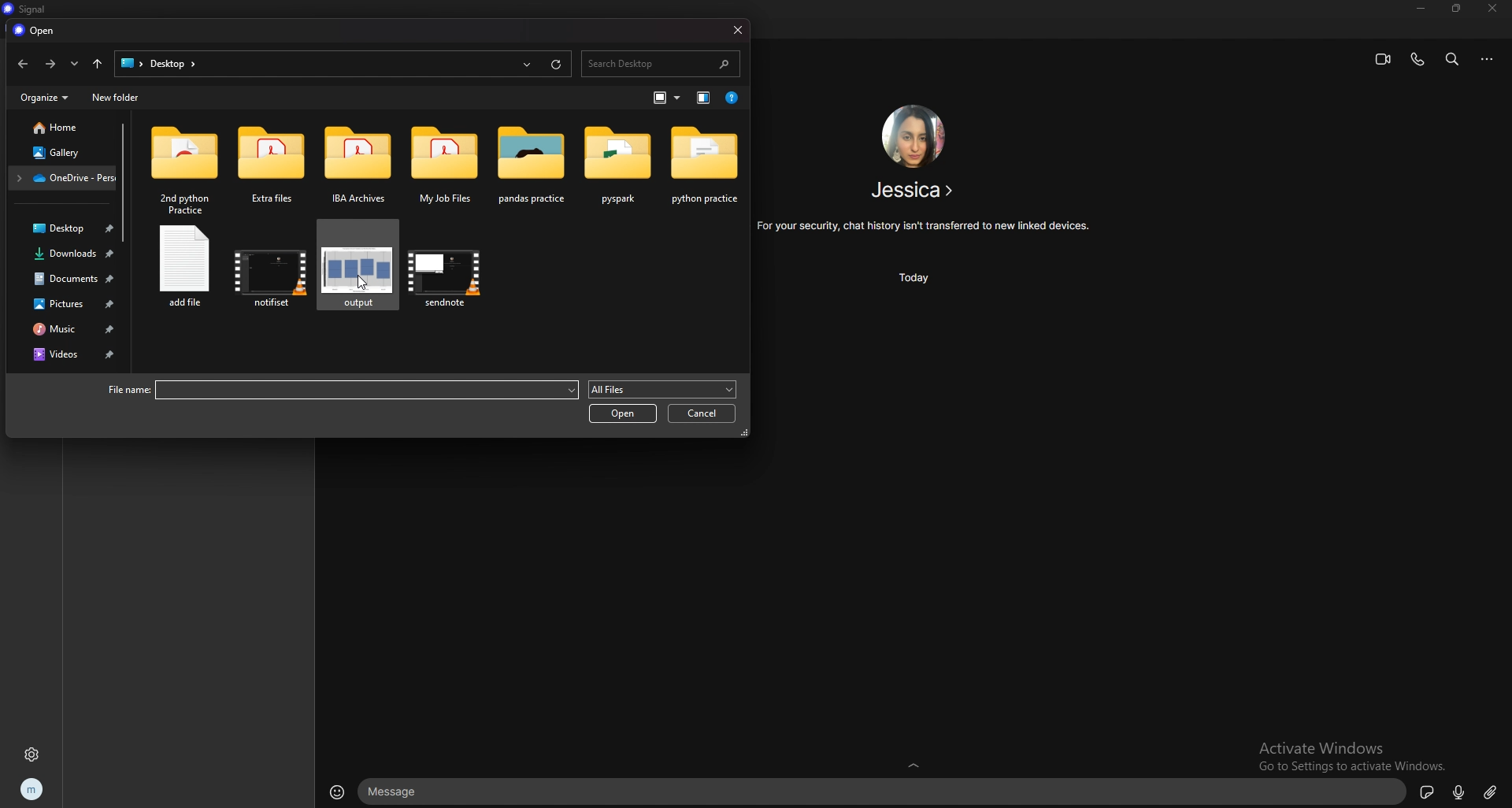 The image size is (1512, 808). I want to click on music, so click(64, 329).